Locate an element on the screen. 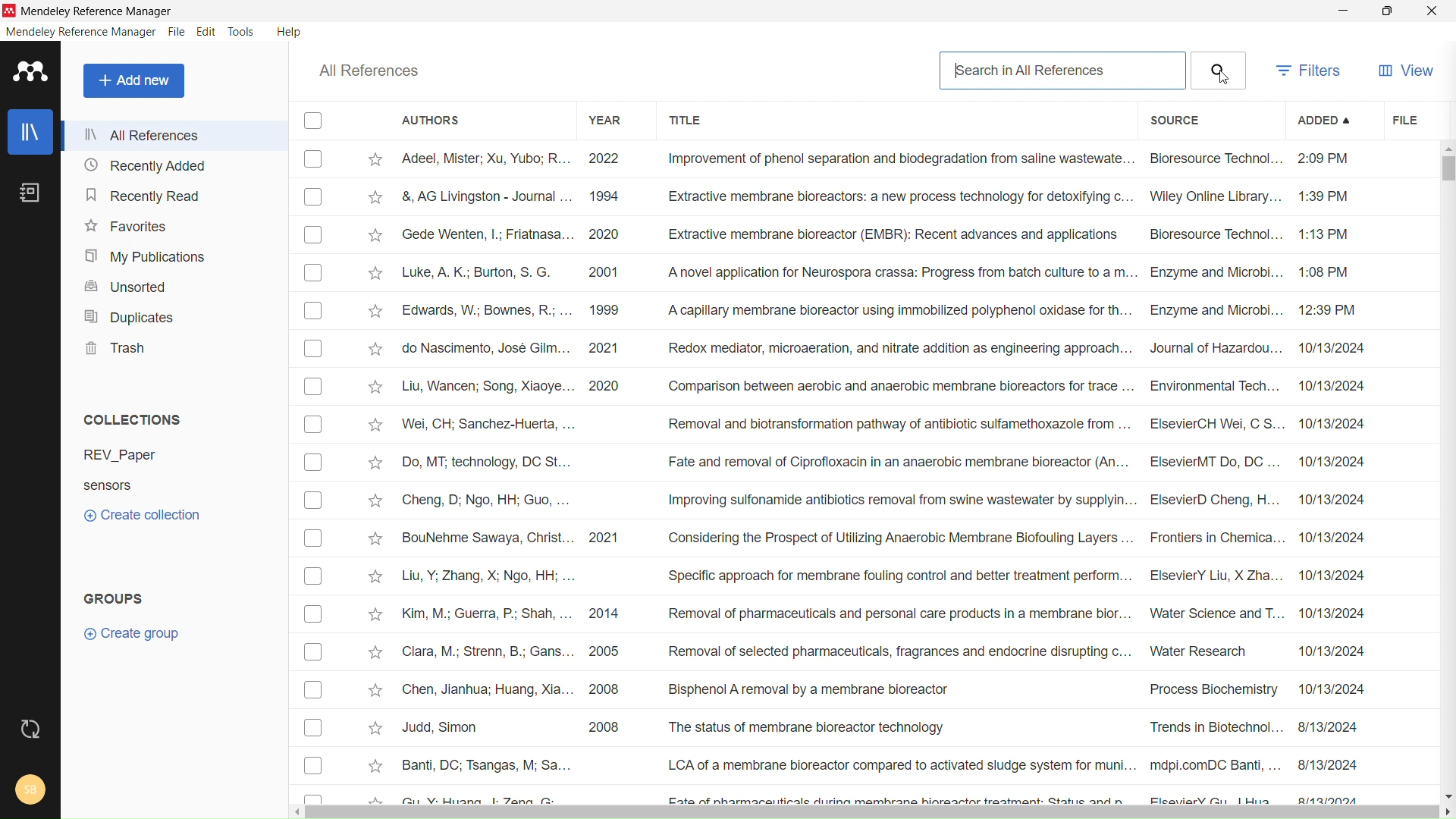  my publications is located at coordinates (174, 254).